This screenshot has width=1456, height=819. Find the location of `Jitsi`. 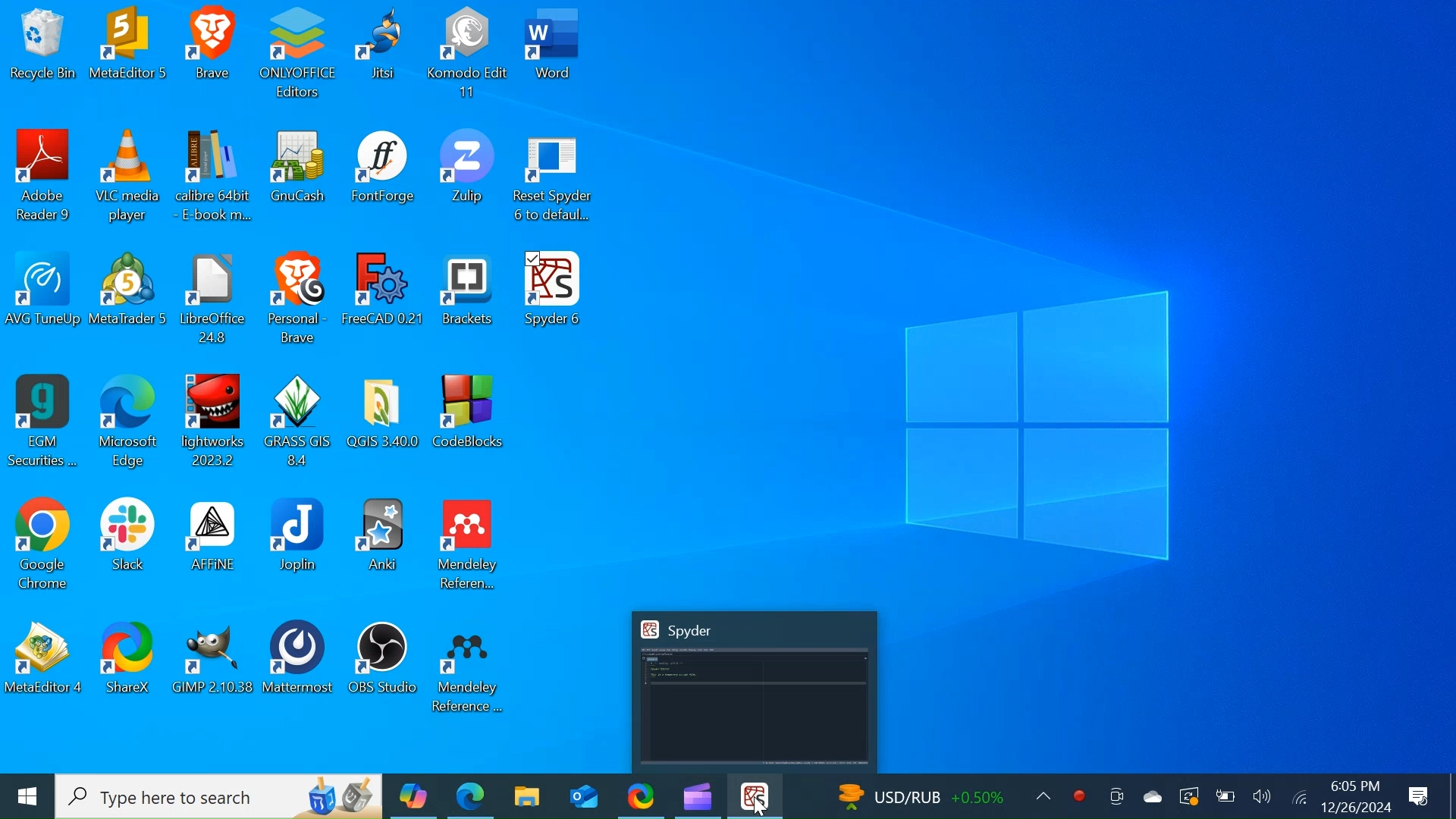

Jitsi is located at coordinates (384, 55).